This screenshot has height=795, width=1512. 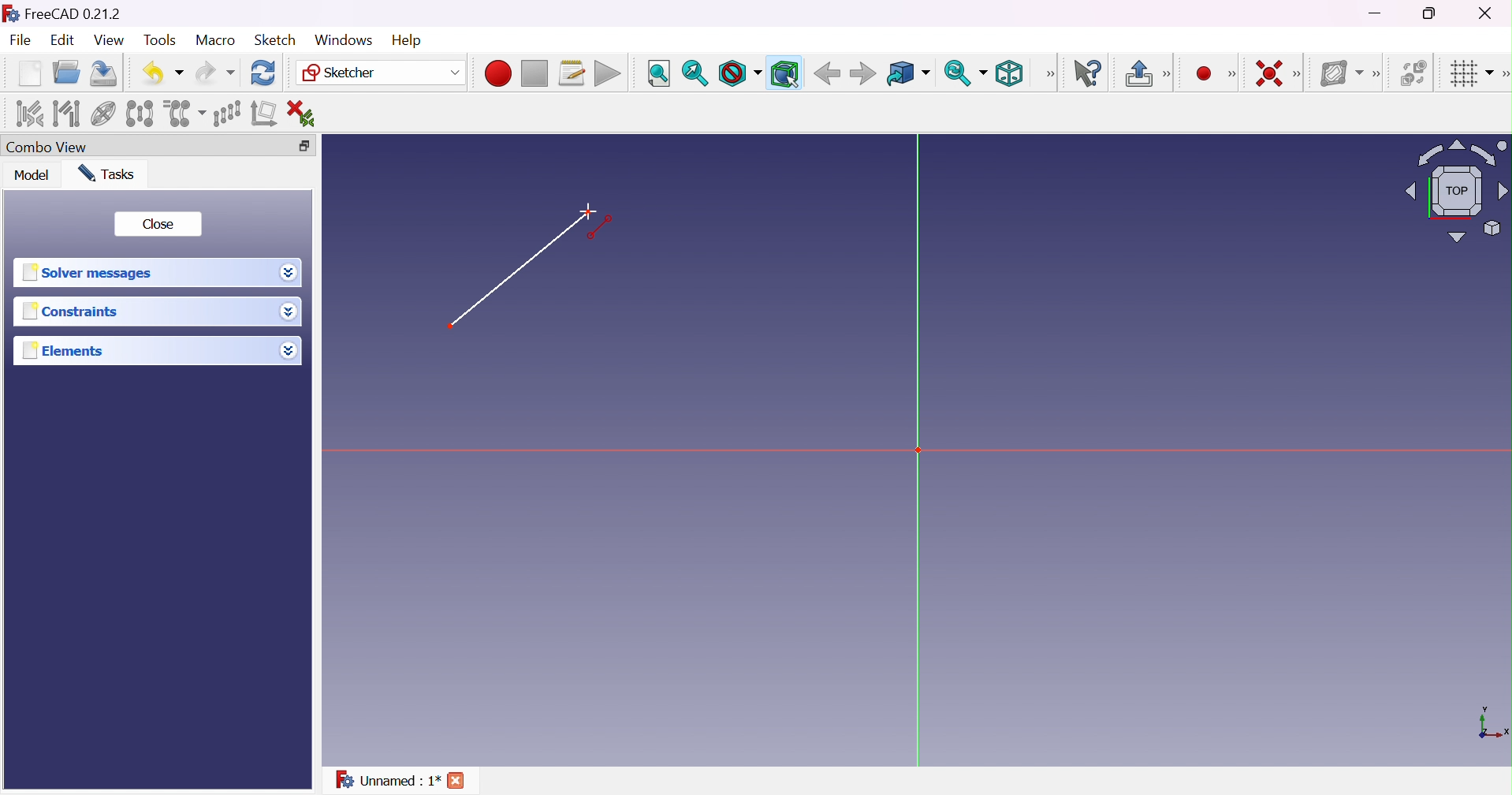 I want to click on Restore down, so click(x=306, y=144).